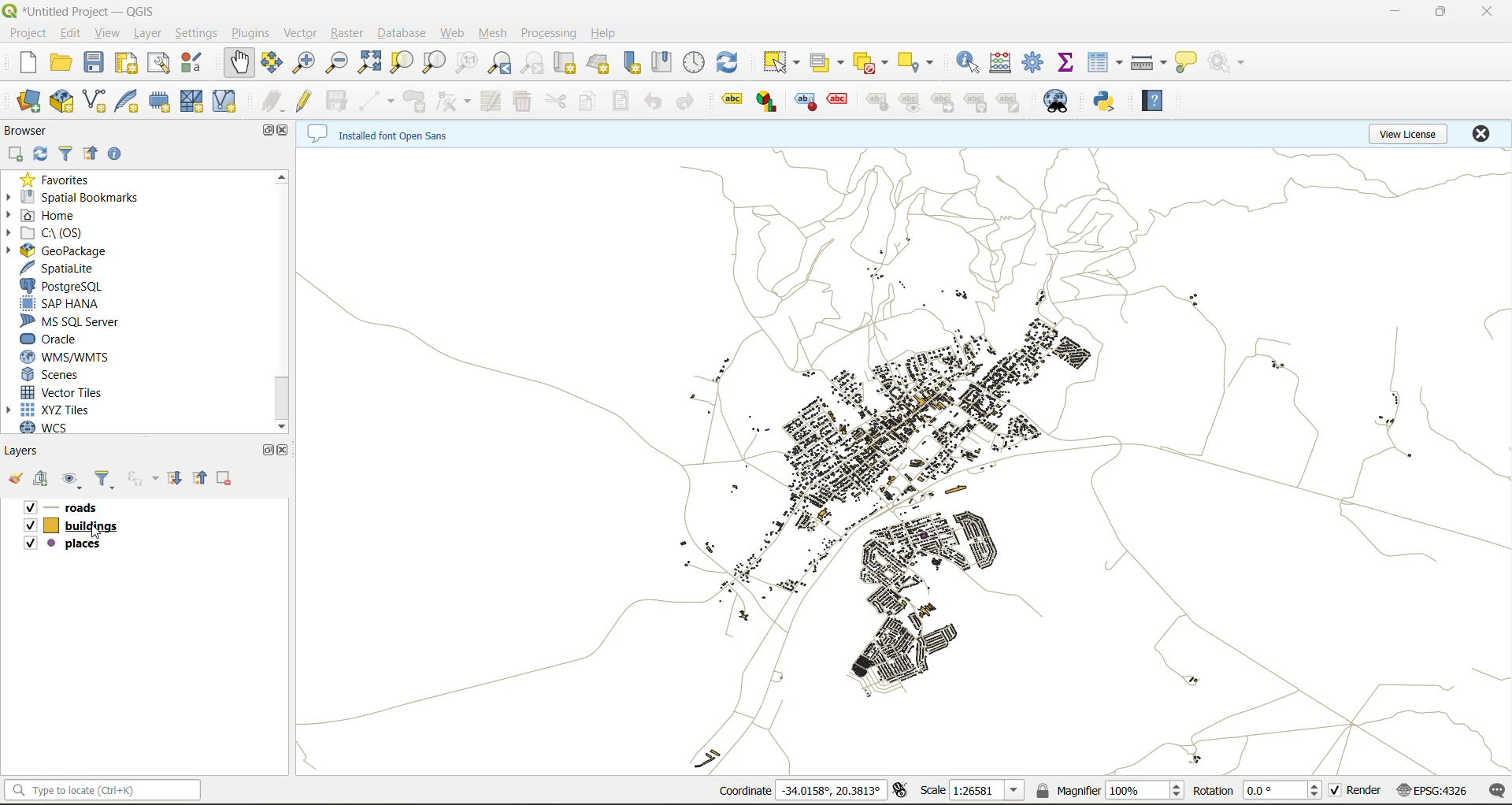 This screenshot has height=805, width=1512. What do you see at coordinates (599, 61) in the screenshot?
I see `new 3d map` at bounding box center [599, 61].